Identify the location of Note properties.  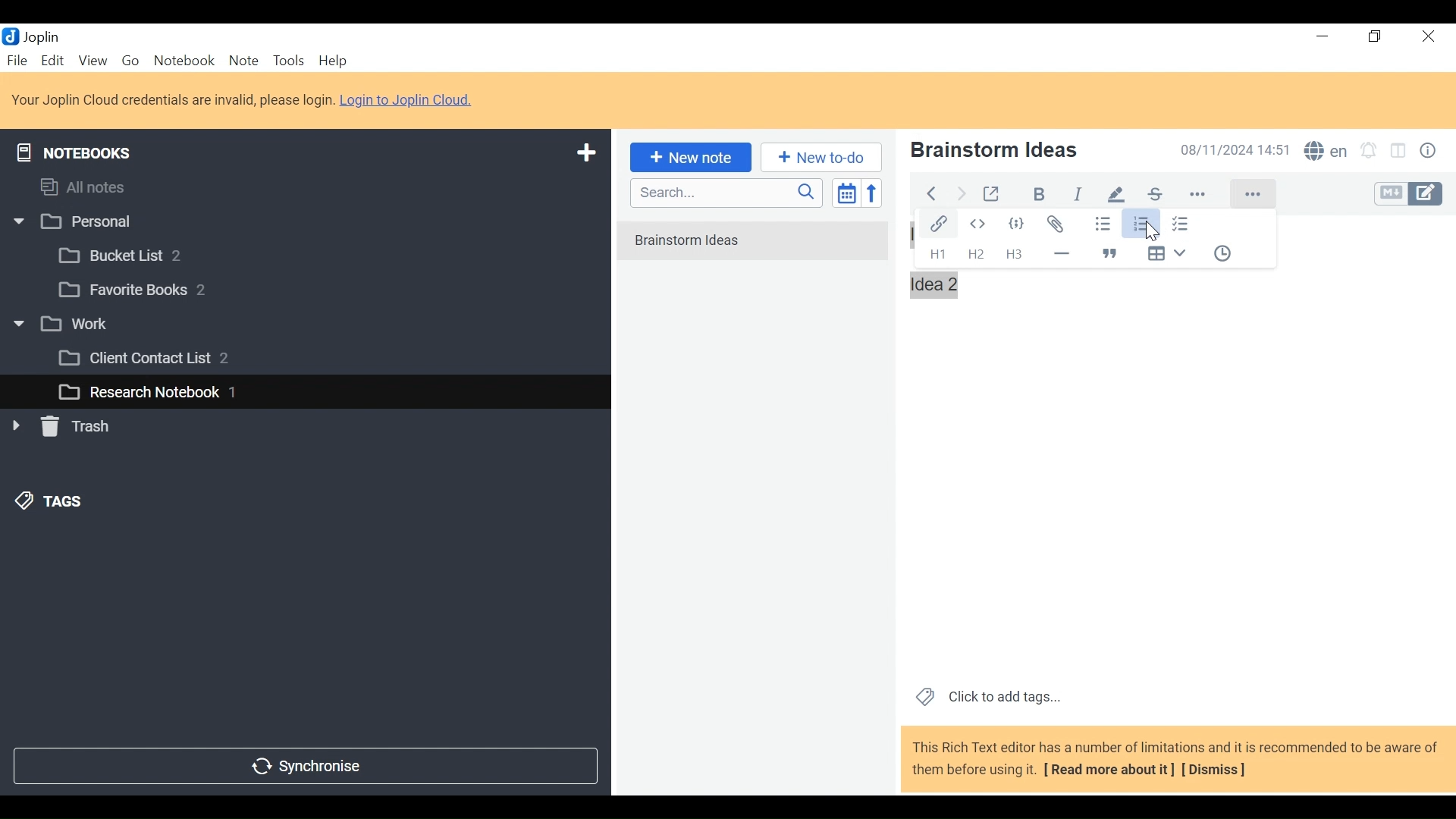
(1431, 152).